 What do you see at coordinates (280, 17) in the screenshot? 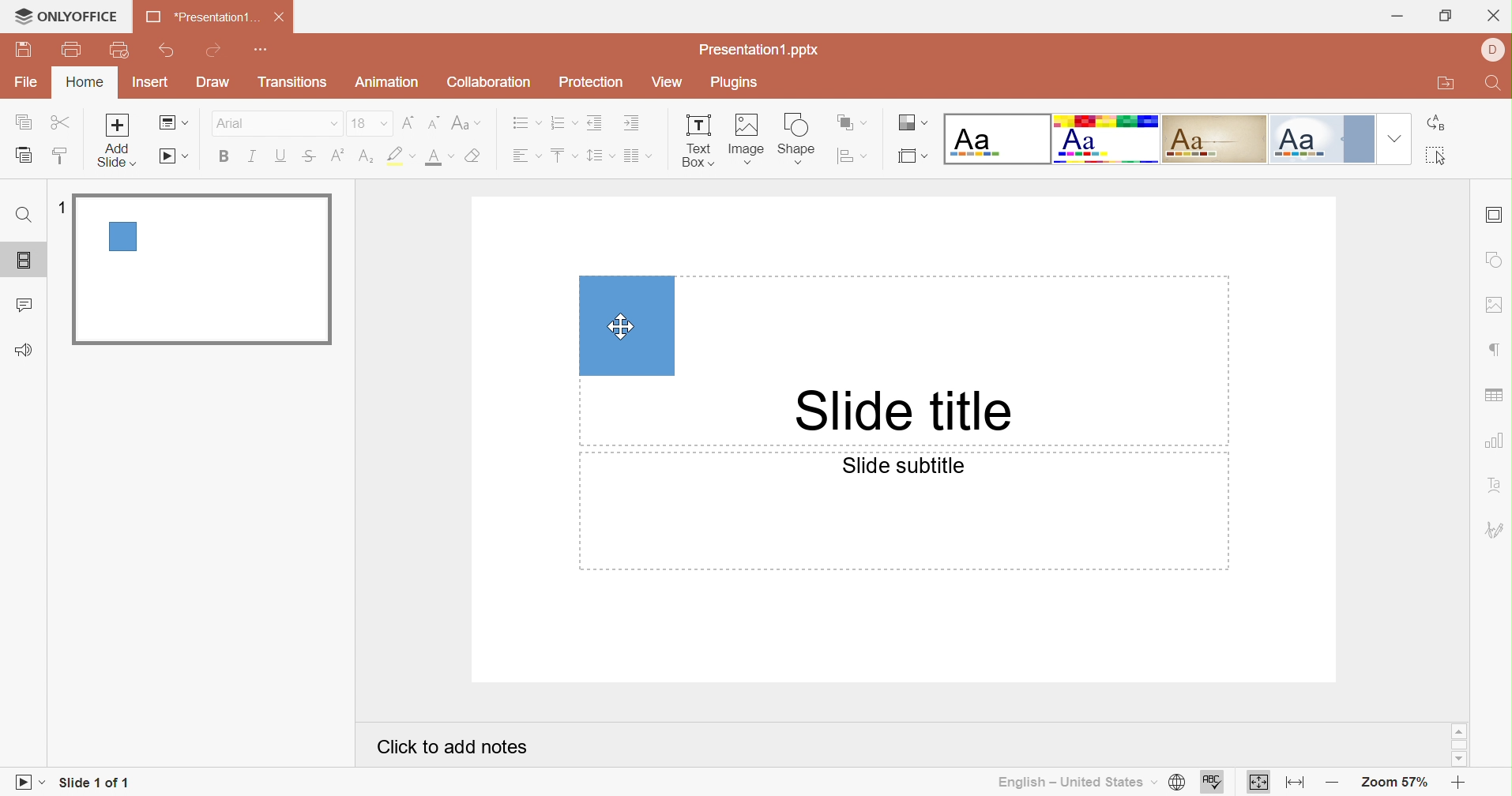
I see `Close` at bounding box center [280, 17].